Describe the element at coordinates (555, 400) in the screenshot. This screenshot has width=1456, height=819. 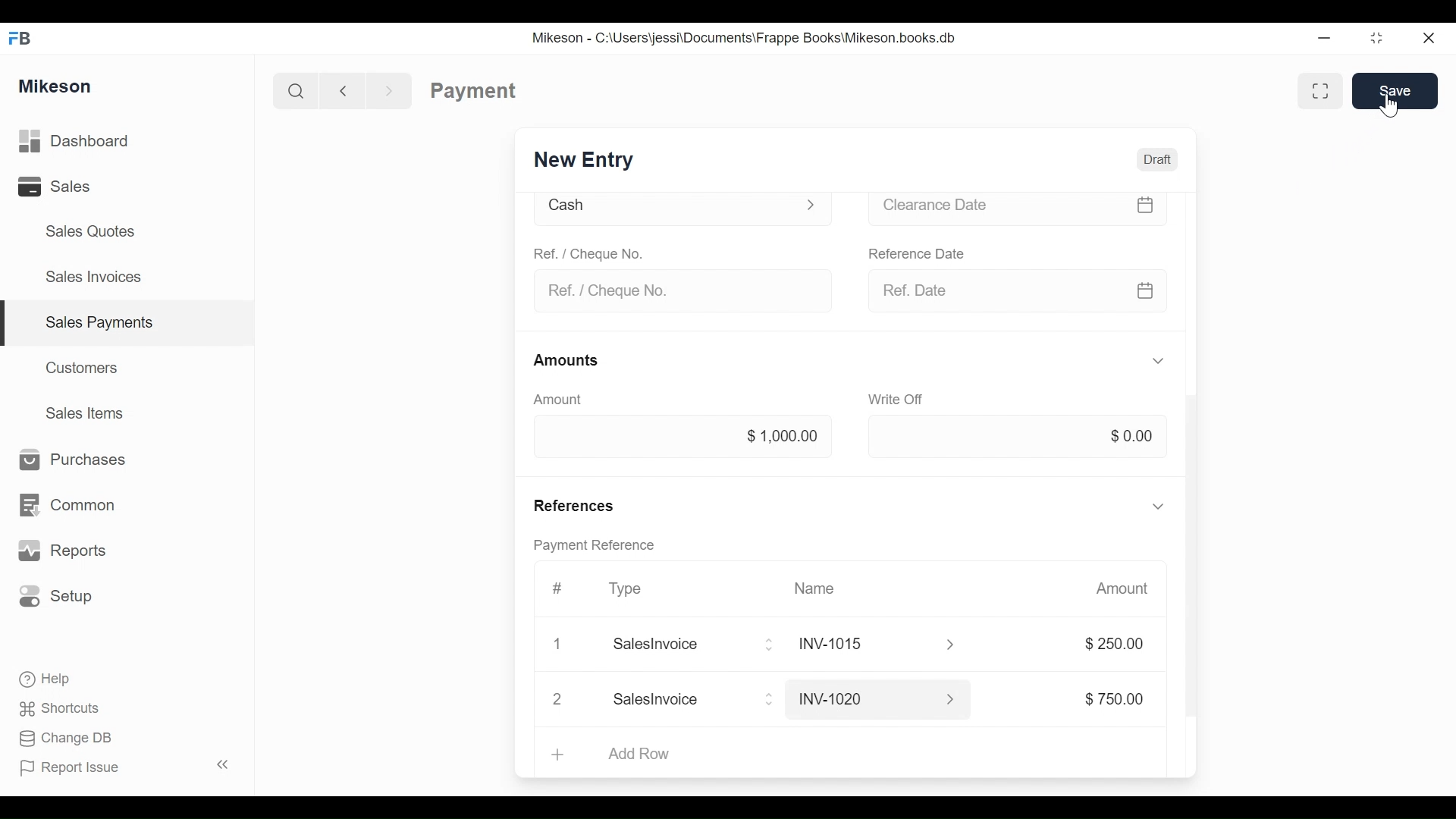
I see `Amount` at that location.